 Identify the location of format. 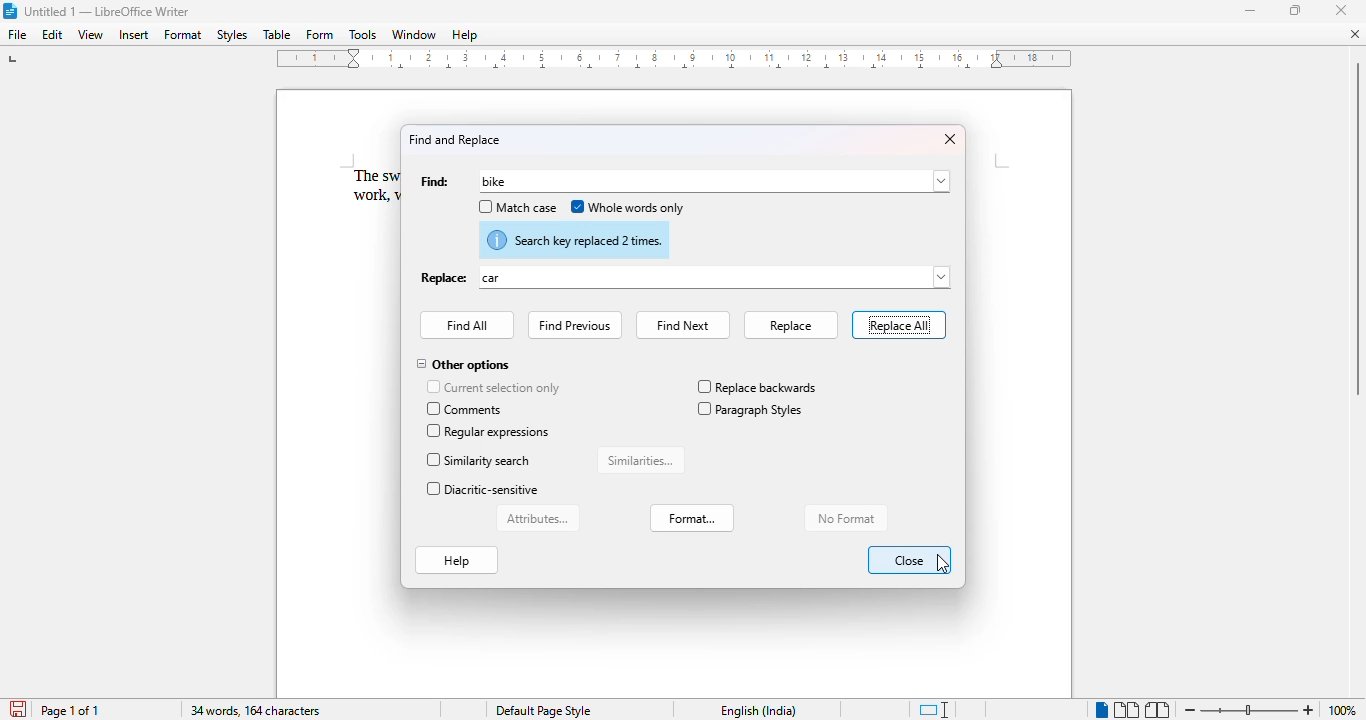
(184, 34).